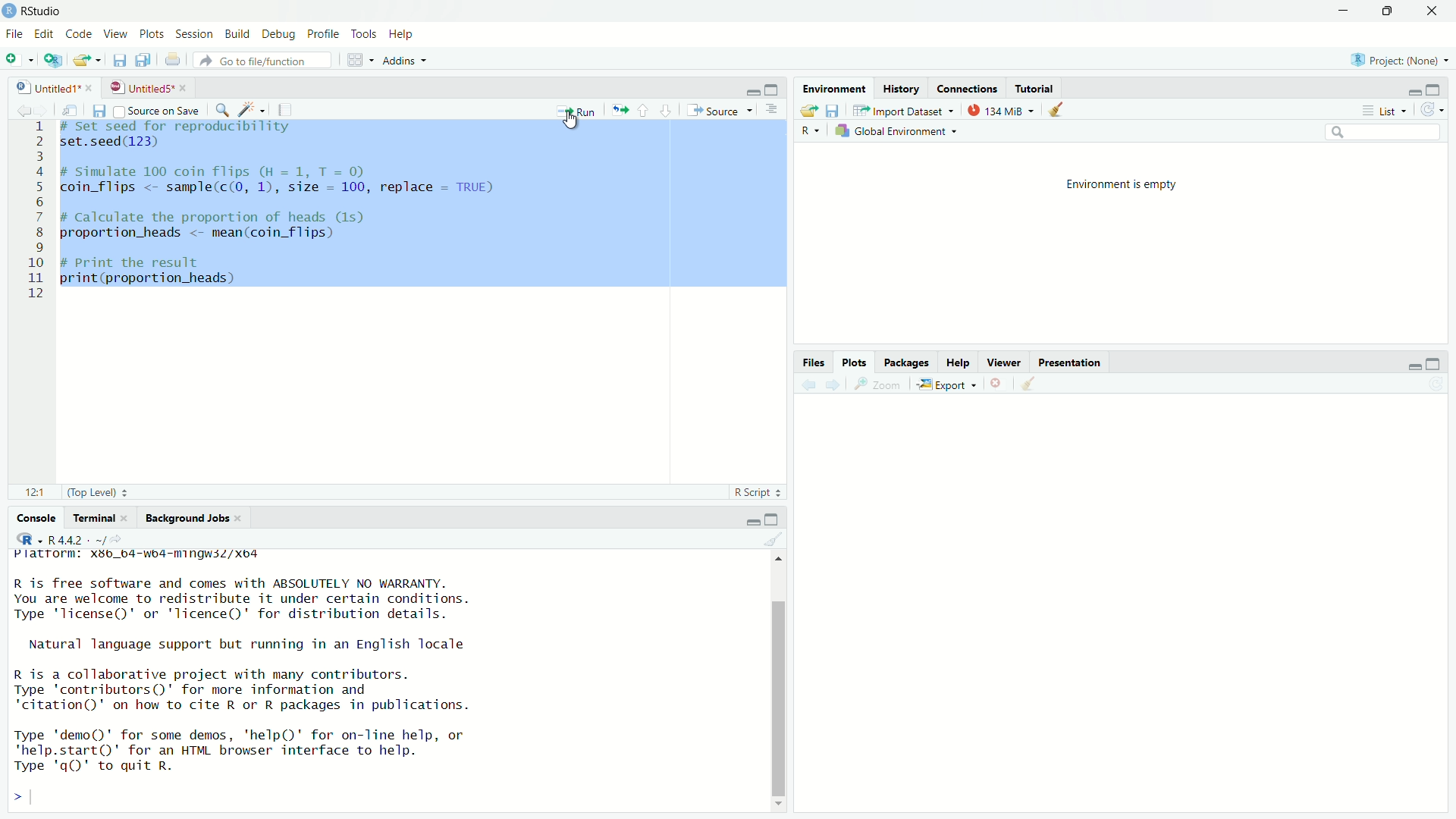 The width and height of the screenshot is (1456, 819). Describe the element at coordinates (43, 108) in the screenshot. I see `go forward to the next source location` at that location.